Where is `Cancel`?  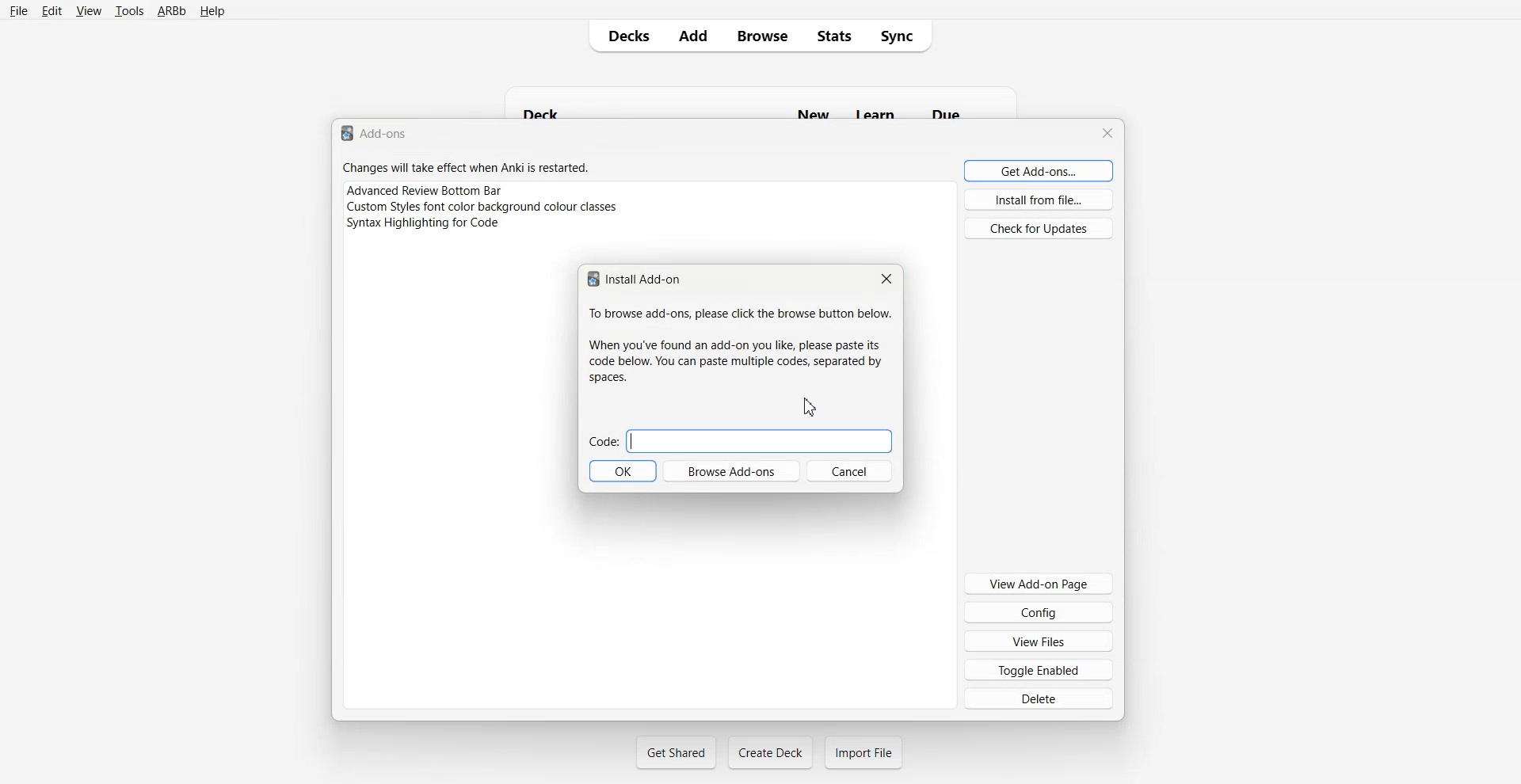 Cancel is located at coordinates (851, 470).